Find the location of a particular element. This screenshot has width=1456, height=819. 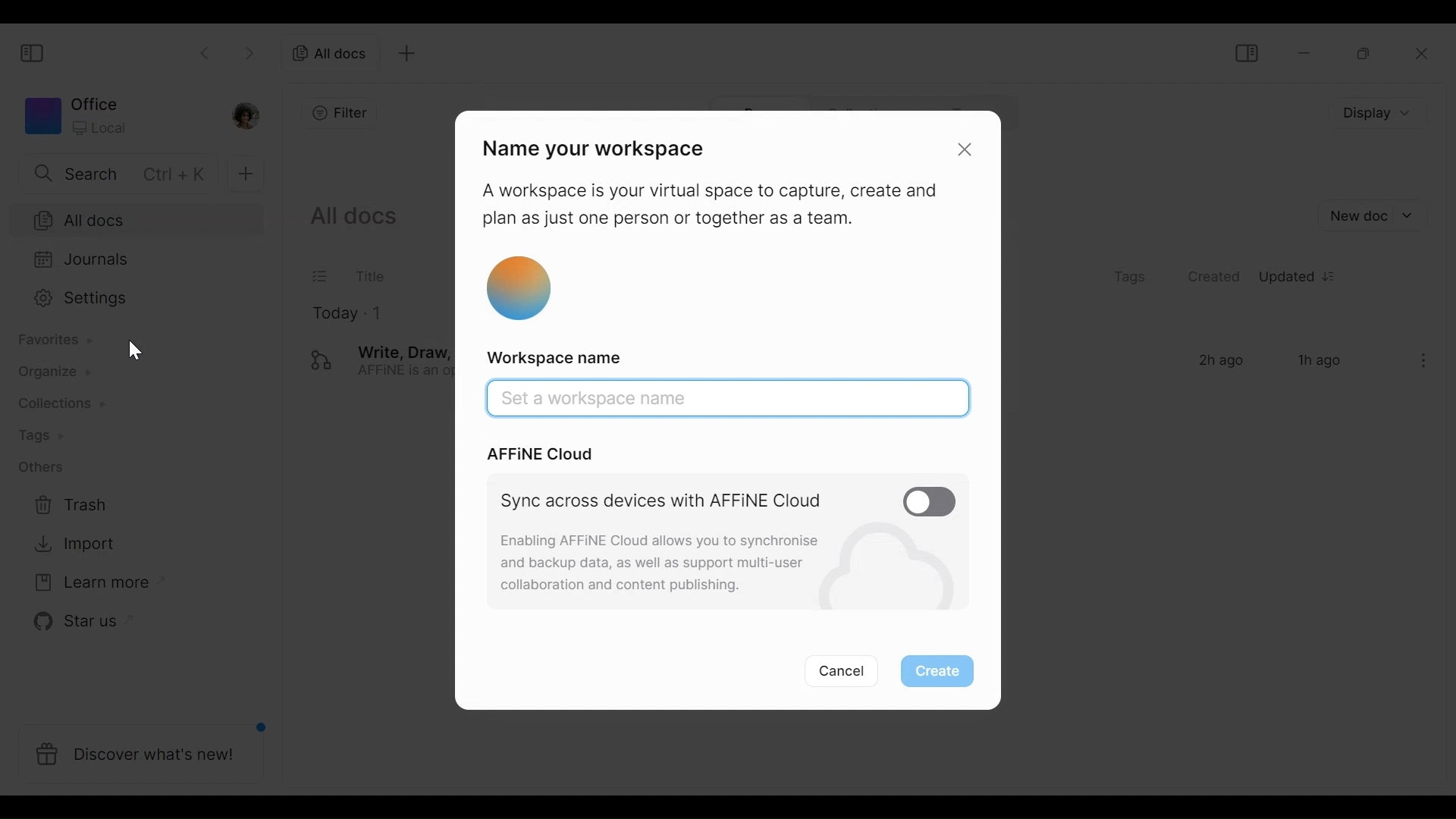

Journals is located at coordinates (128, 259).